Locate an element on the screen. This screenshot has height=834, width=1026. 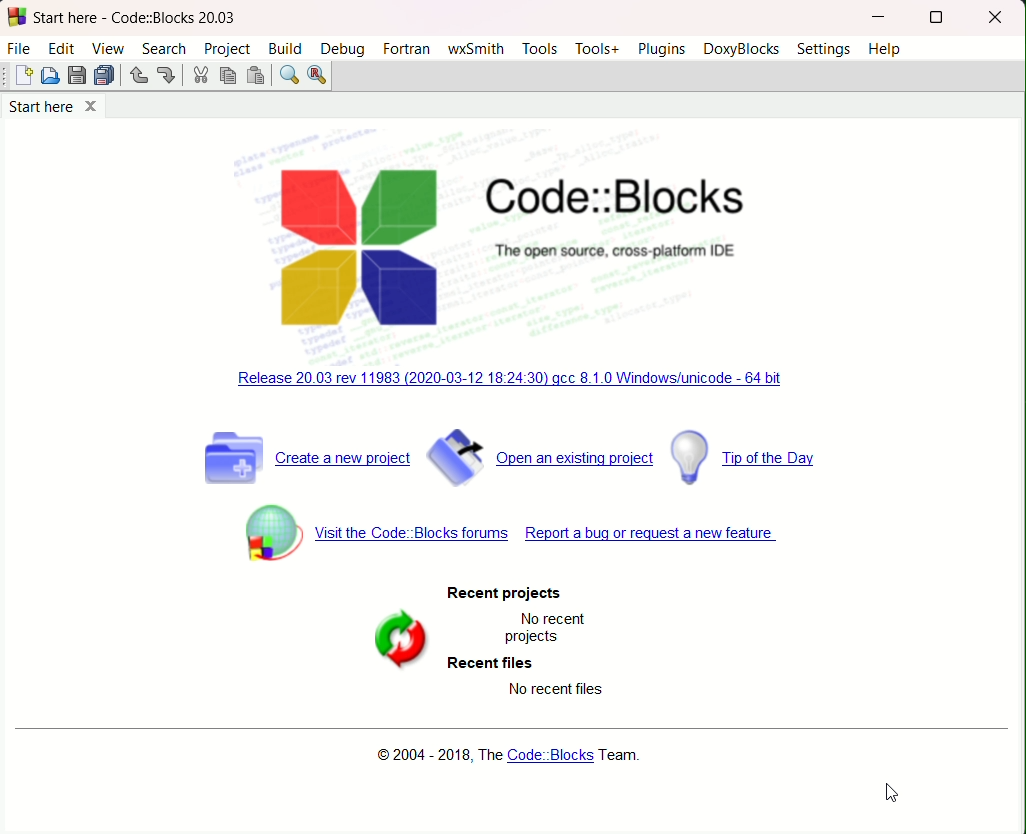
edit is located at coordinates (60, 47).